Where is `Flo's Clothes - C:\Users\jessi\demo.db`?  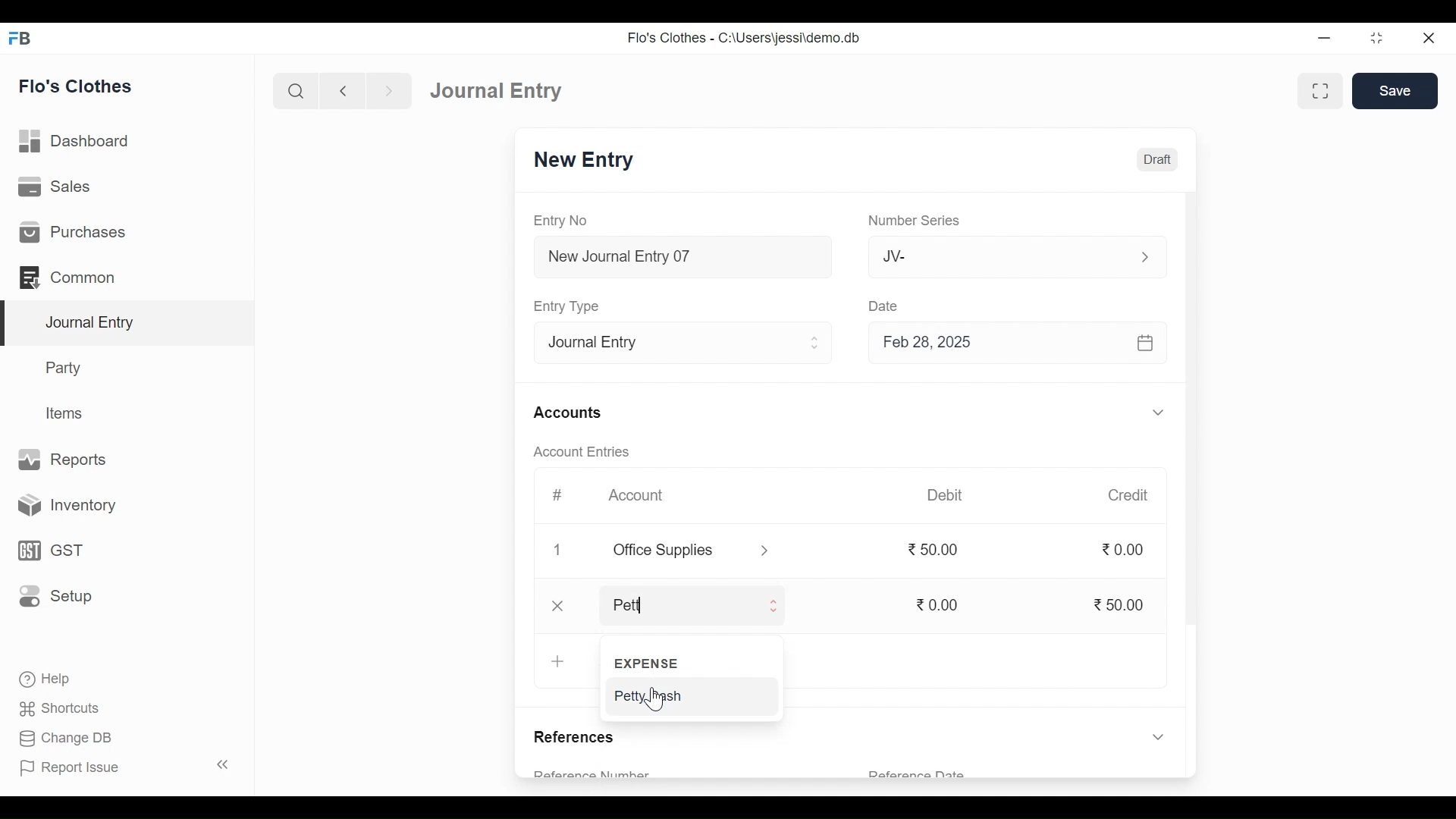
Flo's Clothes - C:\Users\jessi\demo.db is located at coordinates (746, 38).